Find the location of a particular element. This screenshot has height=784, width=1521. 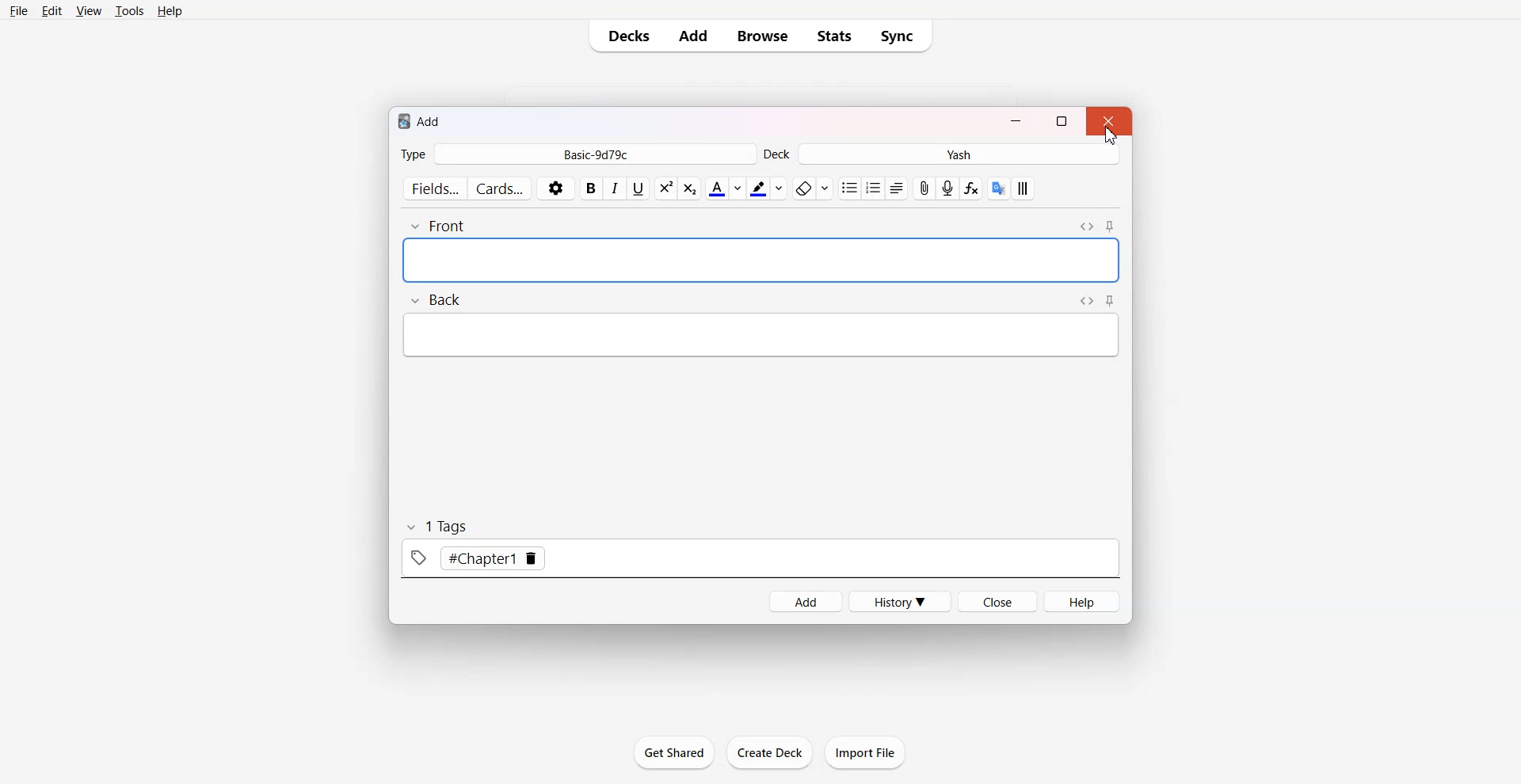

Toggle HTML Editor is located at coordinates (1086, 301).